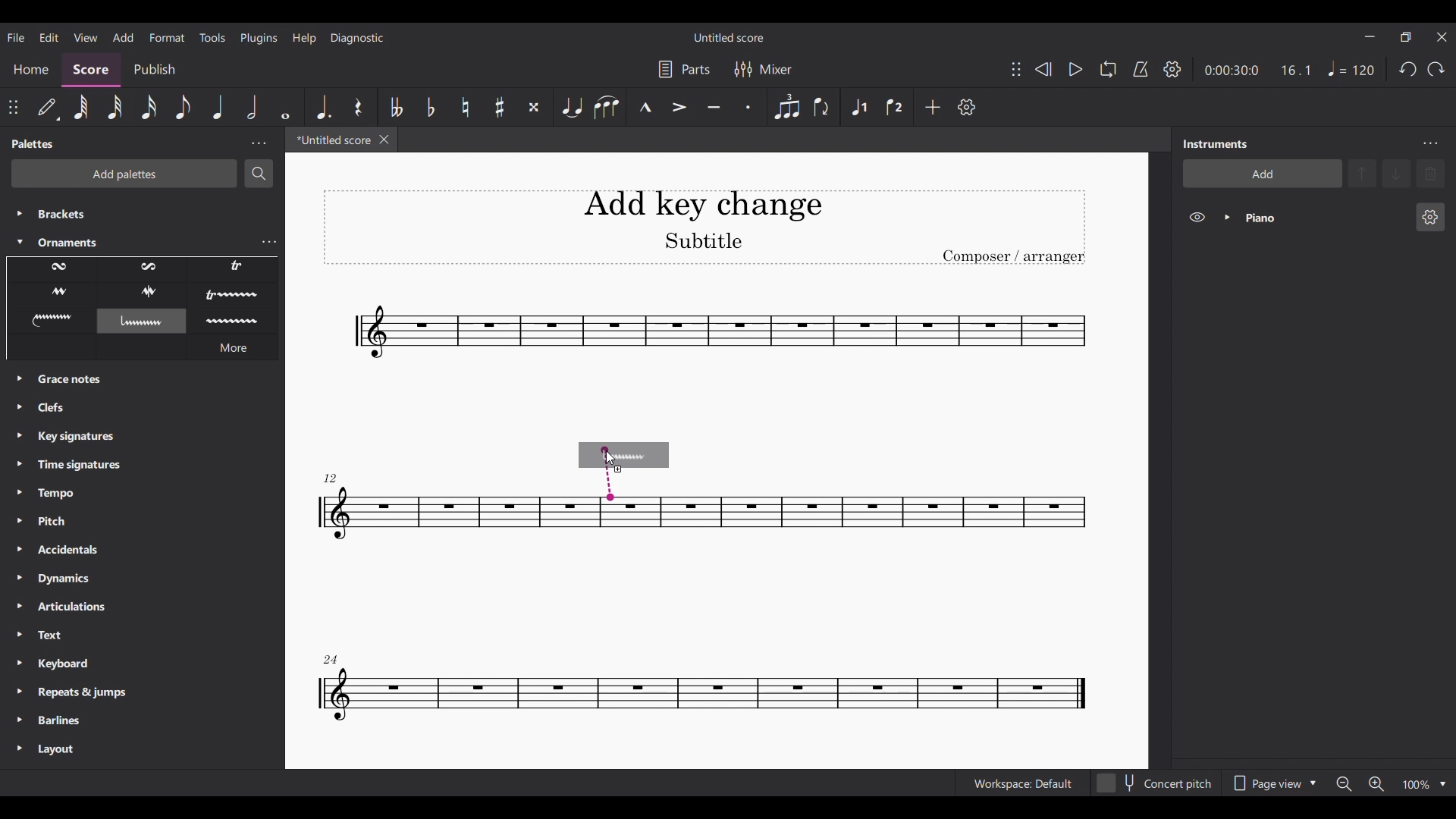  I want to click on Palette settings, so click(259, 143).